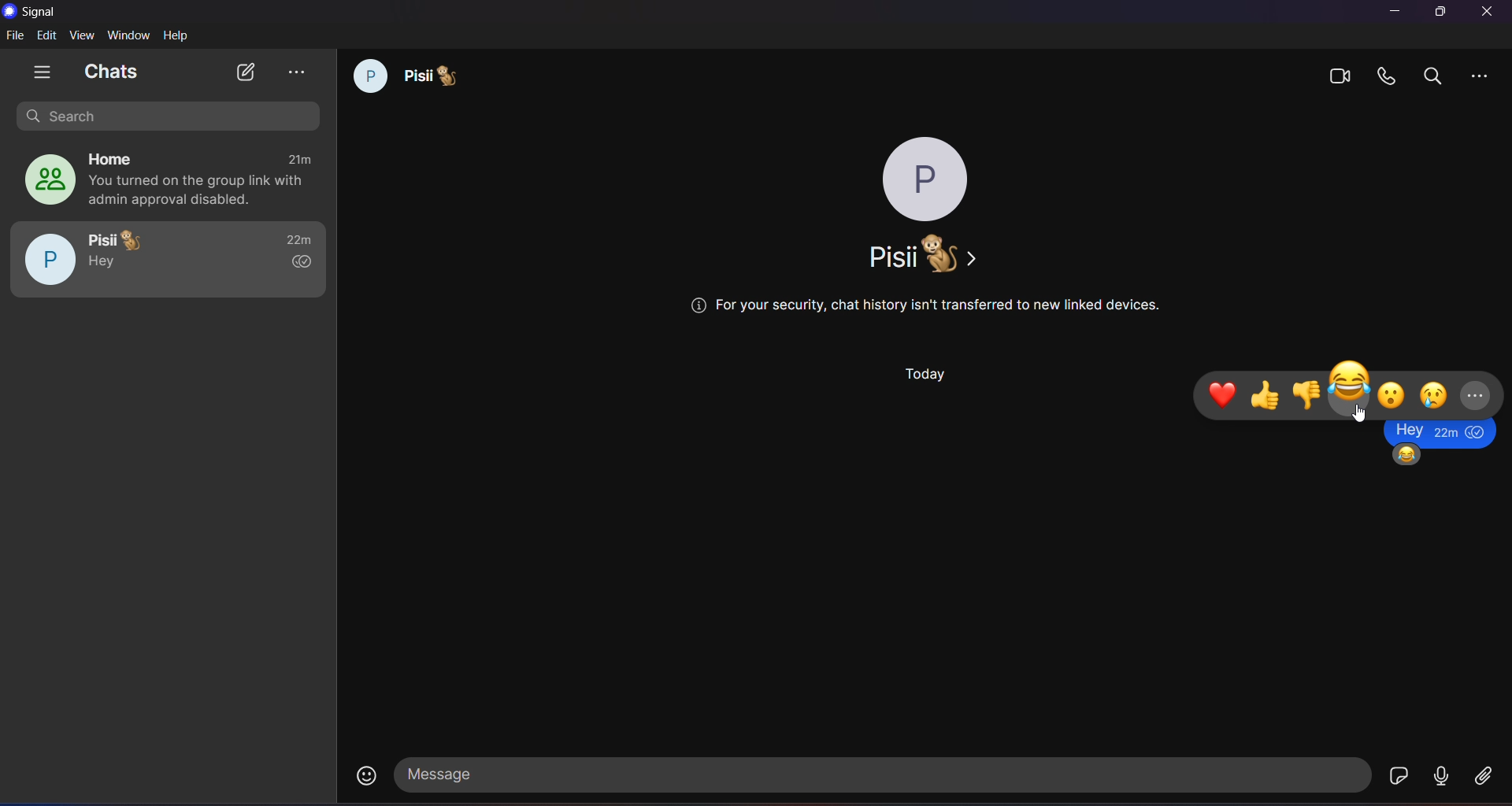 The height and width of the screenshot is (806, 1512). Describe the element at coordinates (1491, 10) in the screenshot. I see `close` at that location.